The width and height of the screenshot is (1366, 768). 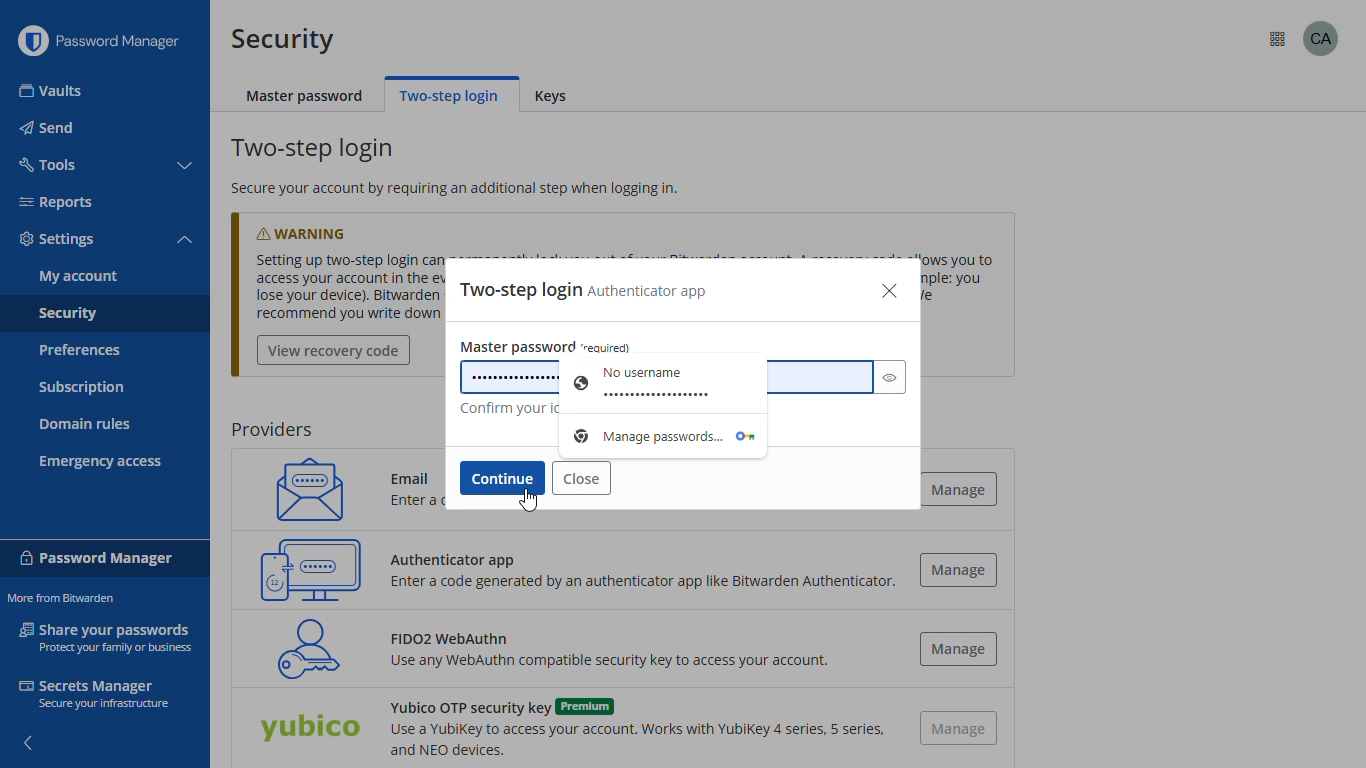 What do you see at coordinates (615, 654) in the screenshot?
I see `FIDO2 WebAuthn
Use any WebAuthn compatible security key to access your account.` at bounding box center [615, 654].